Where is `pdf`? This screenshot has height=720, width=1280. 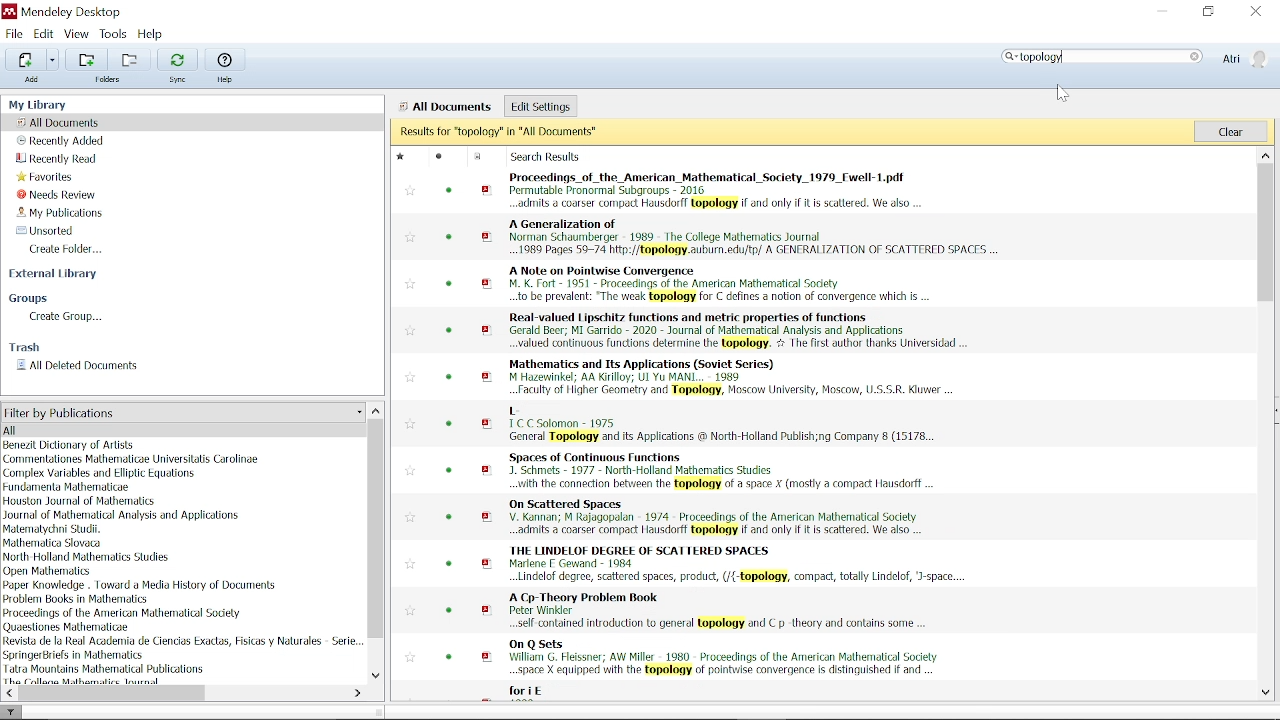
pdf is located at coordinates (488, 658).